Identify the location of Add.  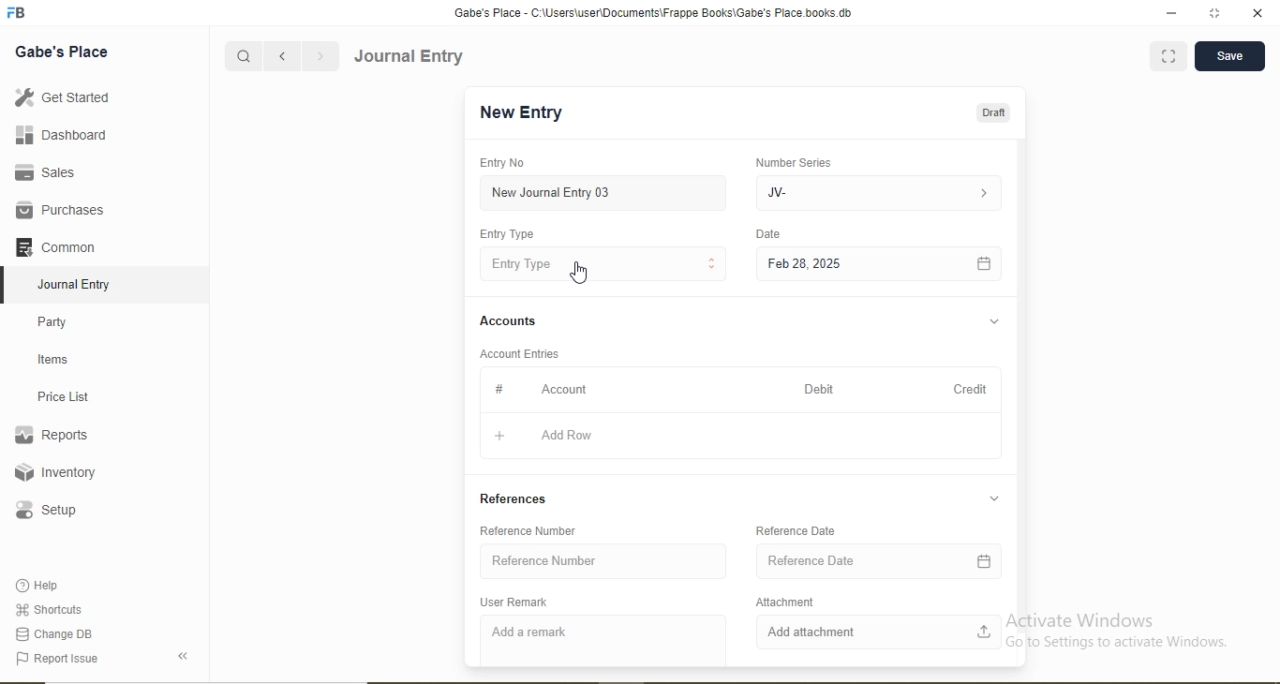
(500, 436).